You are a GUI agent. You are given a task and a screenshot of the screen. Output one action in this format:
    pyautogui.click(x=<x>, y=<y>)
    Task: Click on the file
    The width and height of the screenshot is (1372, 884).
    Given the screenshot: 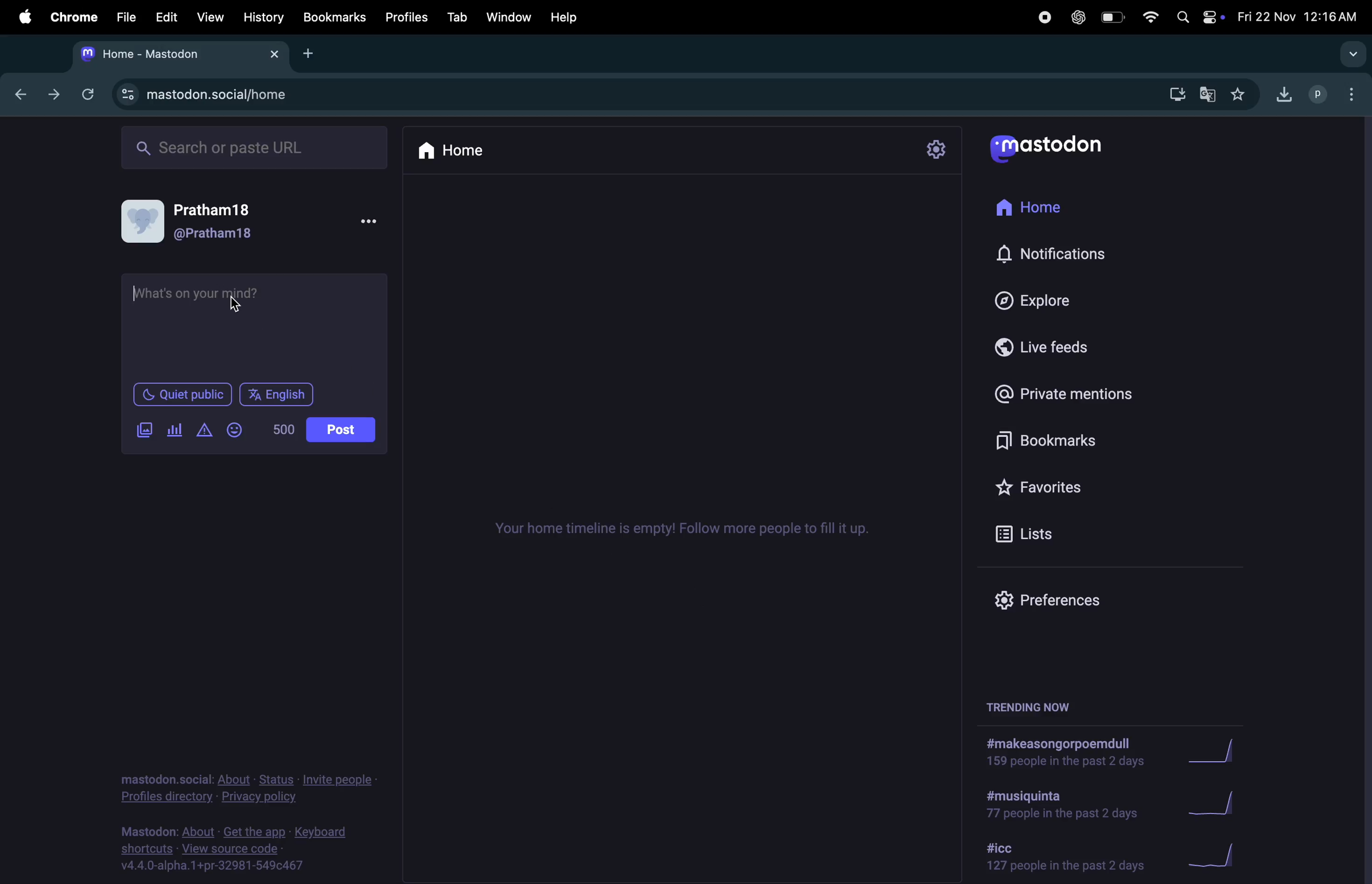 What is the action you would take?
    pyautogui.click(x=123, y=17)
    